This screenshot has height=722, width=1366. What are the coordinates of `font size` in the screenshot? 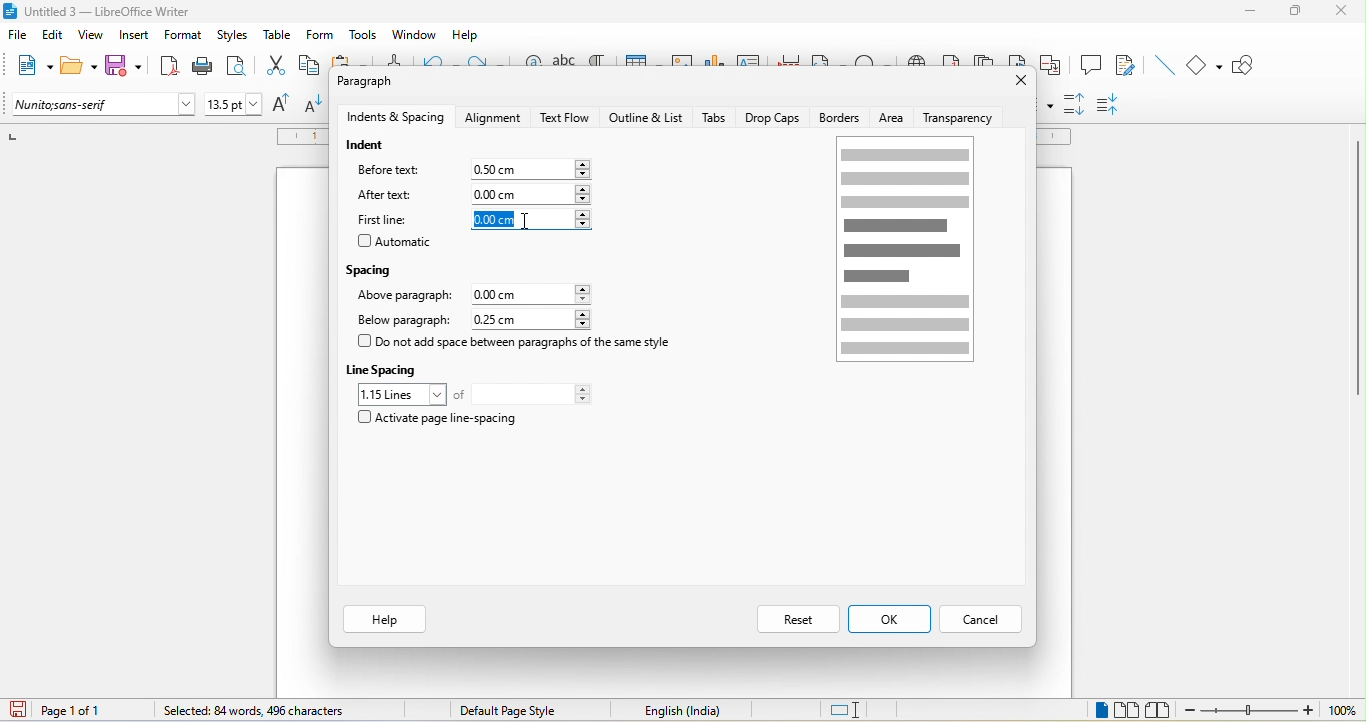 It's located at (234, 105).